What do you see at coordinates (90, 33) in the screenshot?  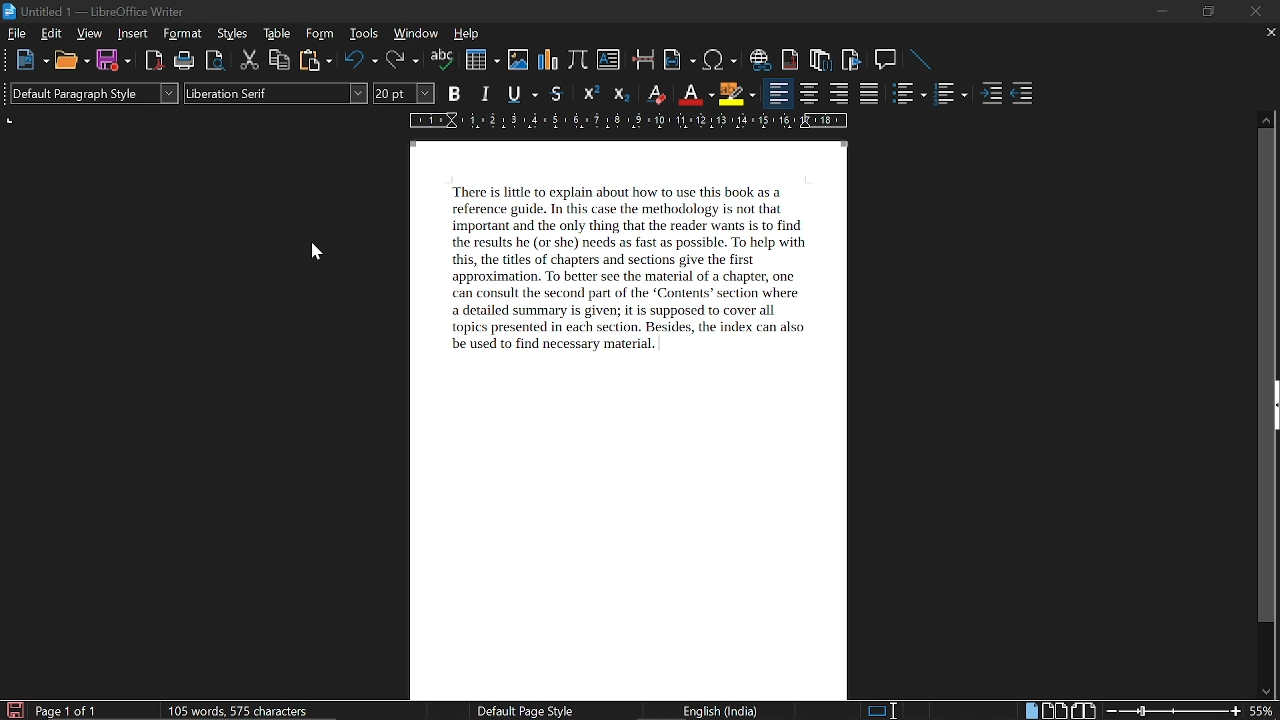 I see `view` at bounding box center [90, 33].